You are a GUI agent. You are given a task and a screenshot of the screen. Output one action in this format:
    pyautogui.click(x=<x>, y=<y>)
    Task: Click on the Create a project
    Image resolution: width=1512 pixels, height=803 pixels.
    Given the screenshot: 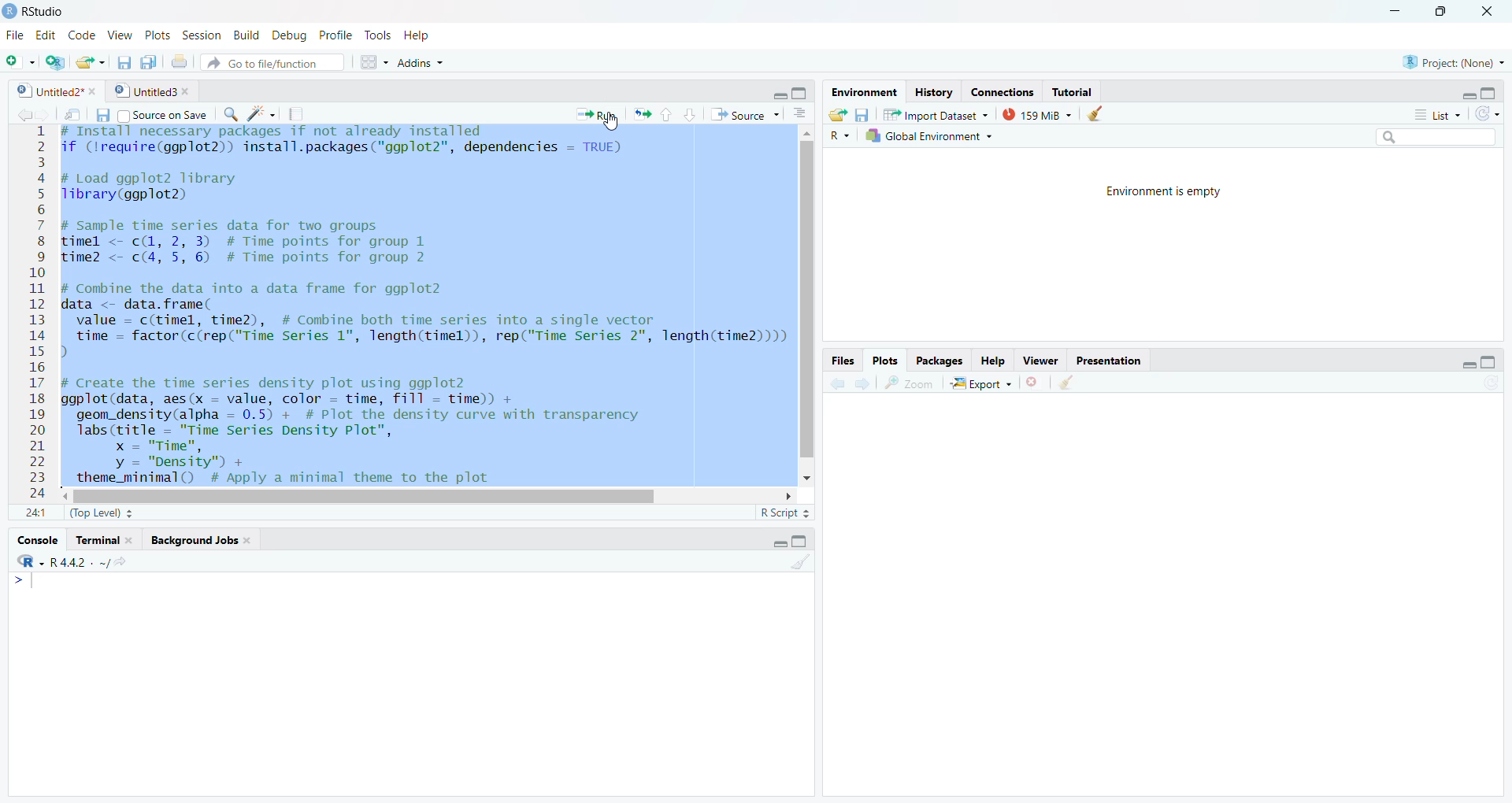 What is the action you would take?
    pyautogui.click(x=55, y=64)
    